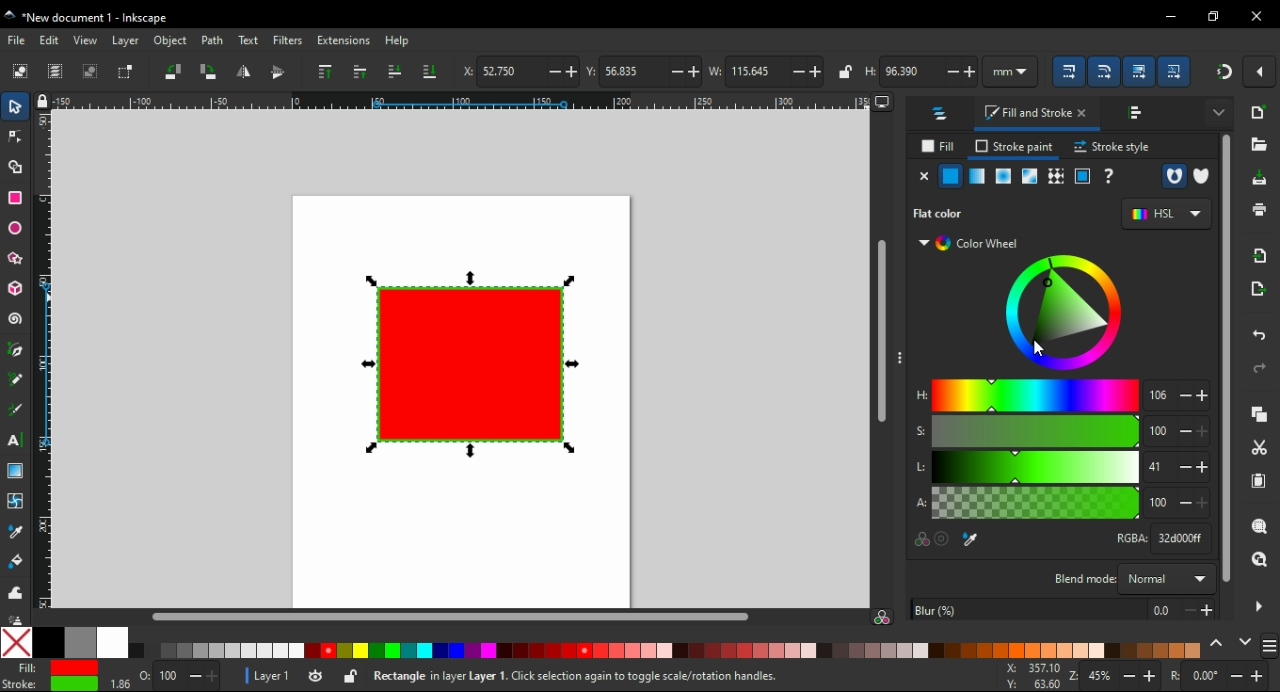 The image size is (1280, 692). I want to click on increase/decrease, so click(961, 71).